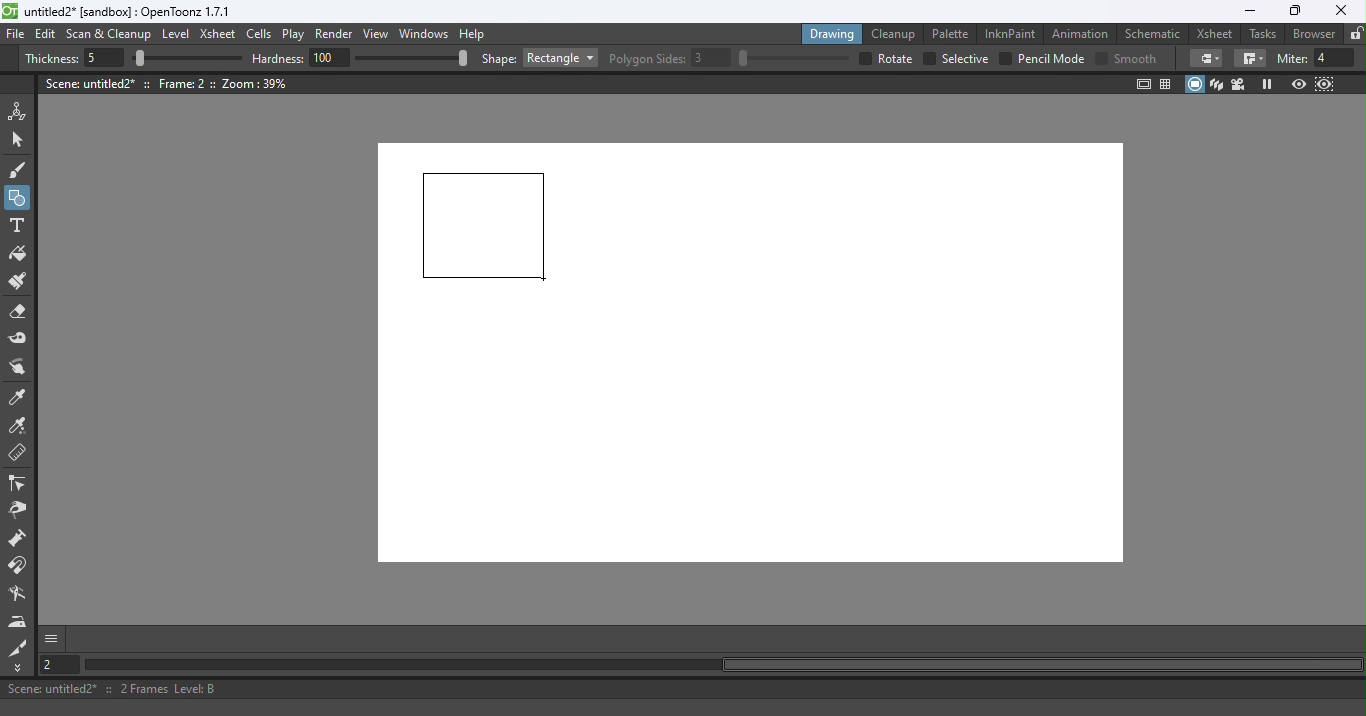  What do you see at coordinates (834, 33) in the screenshot?
I see `Drawing` at bounding box center [834, 33].